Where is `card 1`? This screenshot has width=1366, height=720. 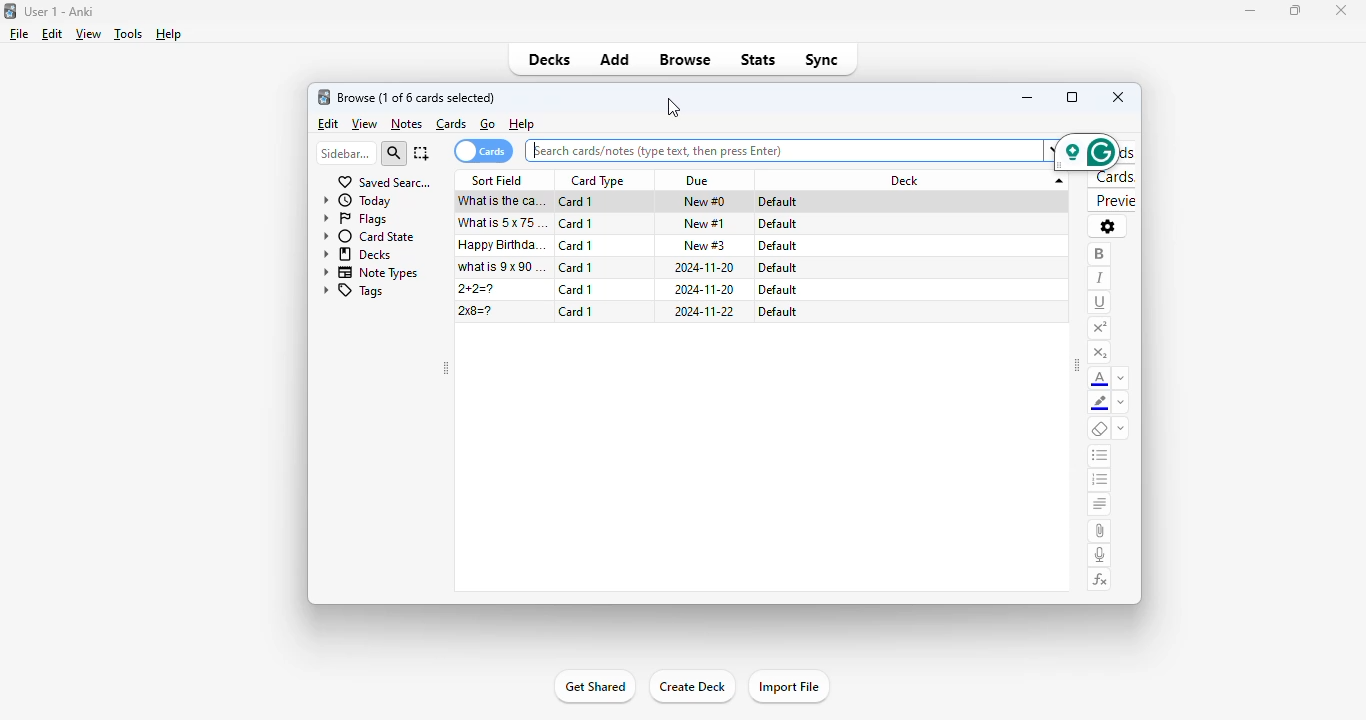
card 1 is located at coordinates (575, 202).